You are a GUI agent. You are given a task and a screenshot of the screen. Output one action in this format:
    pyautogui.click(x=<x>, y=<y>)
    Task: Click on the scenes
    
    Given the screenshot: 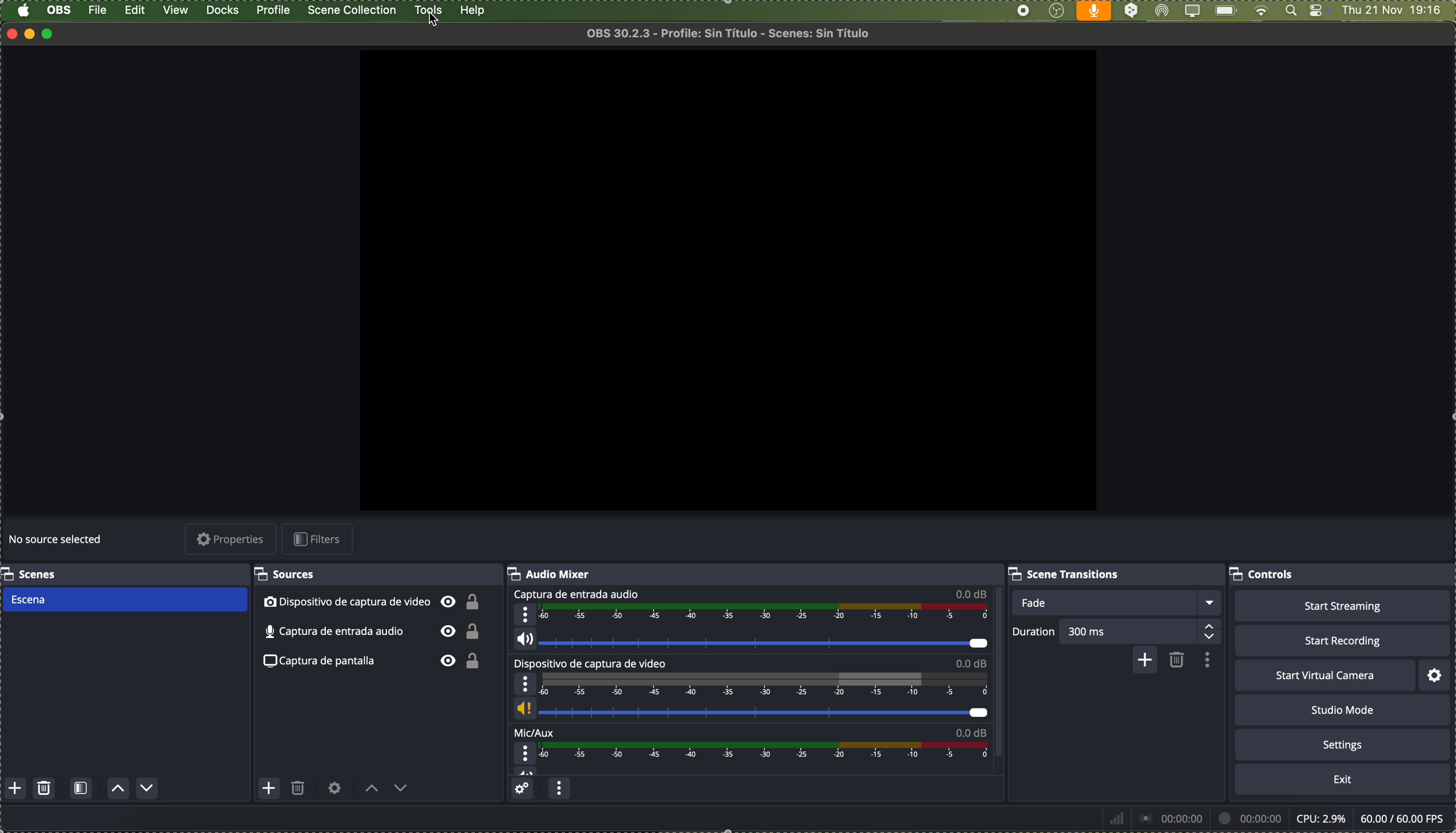 What is the action you would take?
    pyautogui.click(x=31, y=574)
    